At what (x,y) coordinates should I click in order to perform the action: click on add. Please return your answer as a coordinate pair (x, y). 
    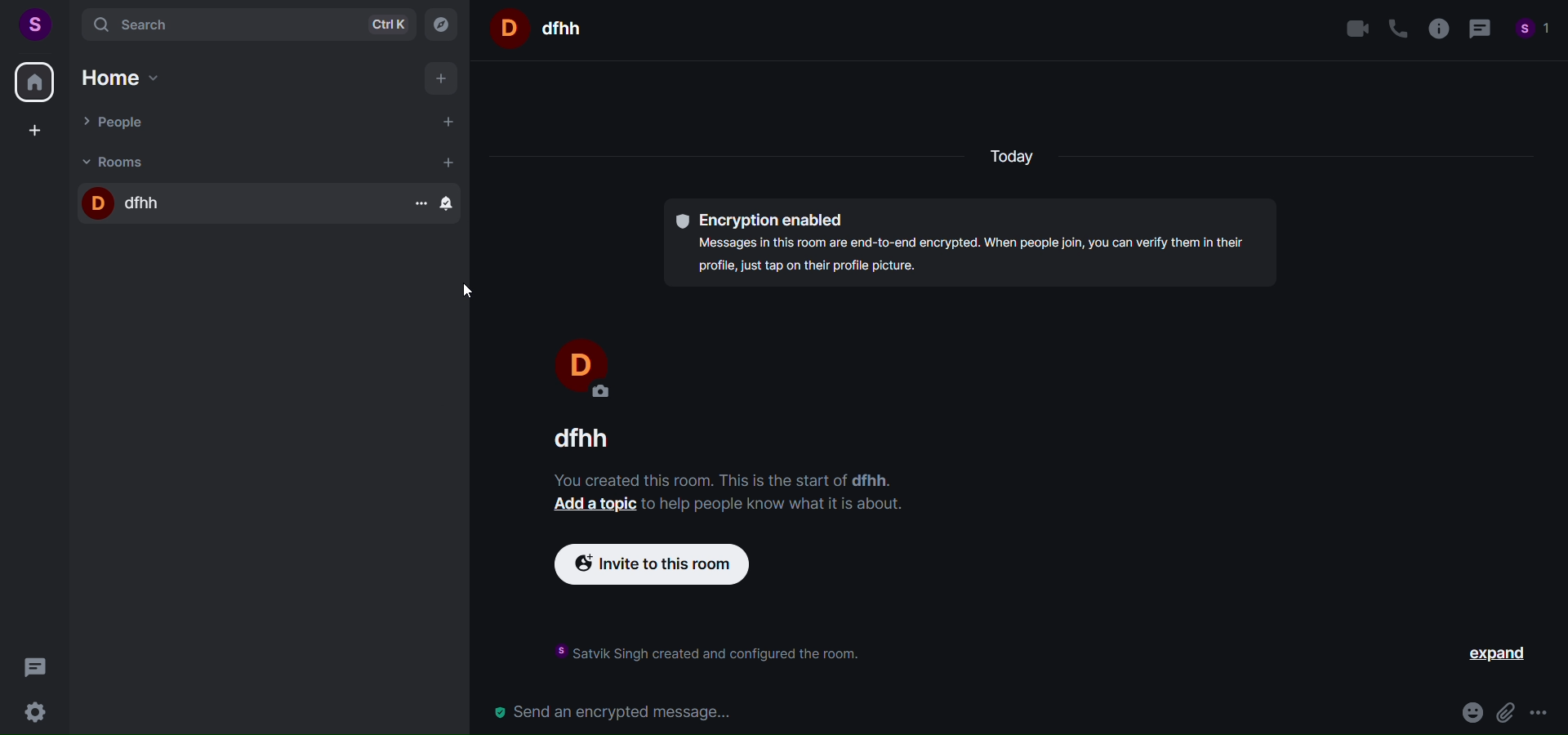
    Looking at the image, I should click on (440, 81).